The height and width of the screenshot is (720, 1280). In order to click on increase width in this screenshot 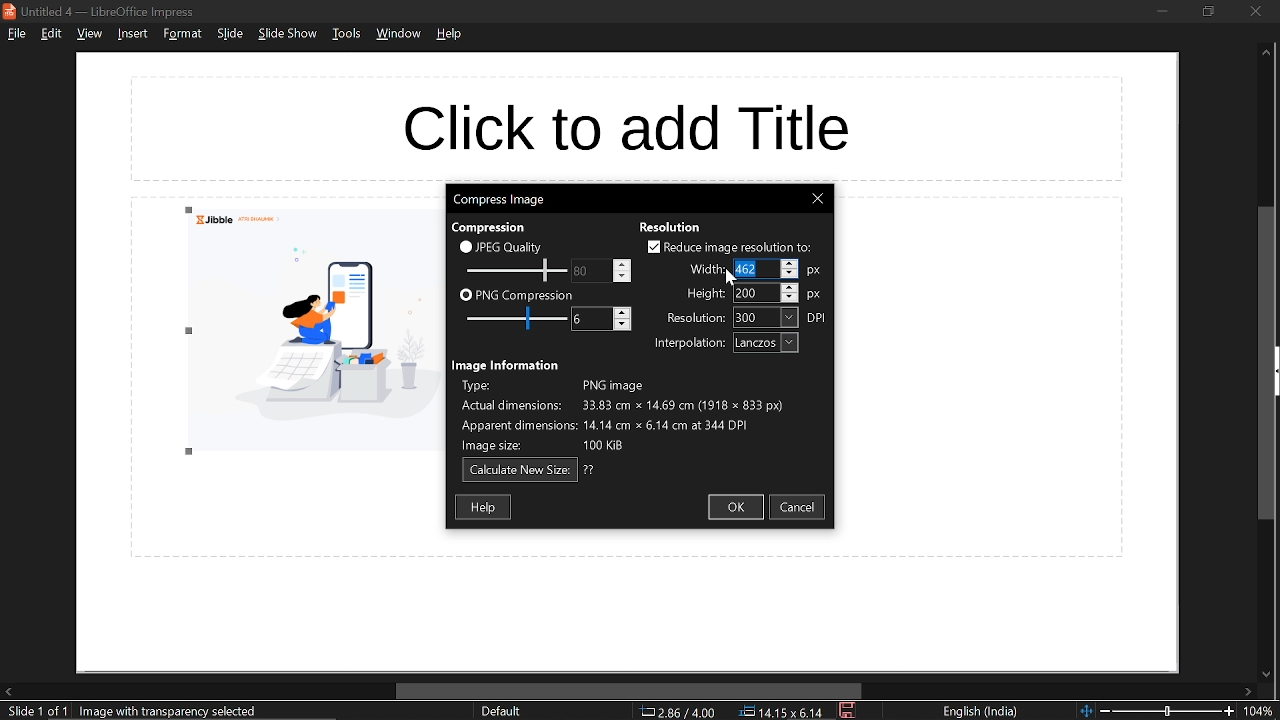, I will do `click(789, 262)`.